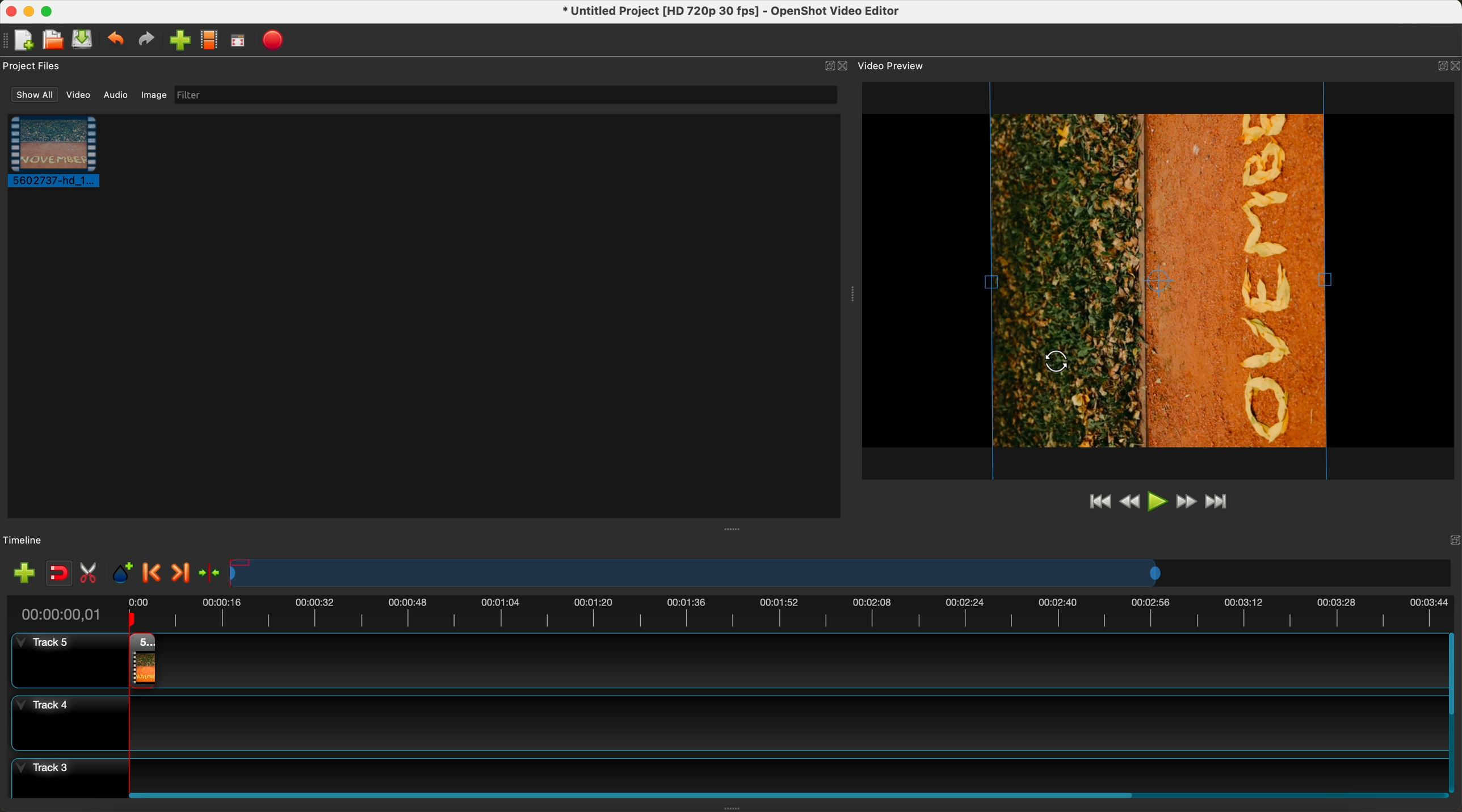 Image resolution: width=1462 pixels, height=812 pixels. What do you see at coordinates (52, 37) in the screenshot?
I see `open project` at bounding box center [52, 37].